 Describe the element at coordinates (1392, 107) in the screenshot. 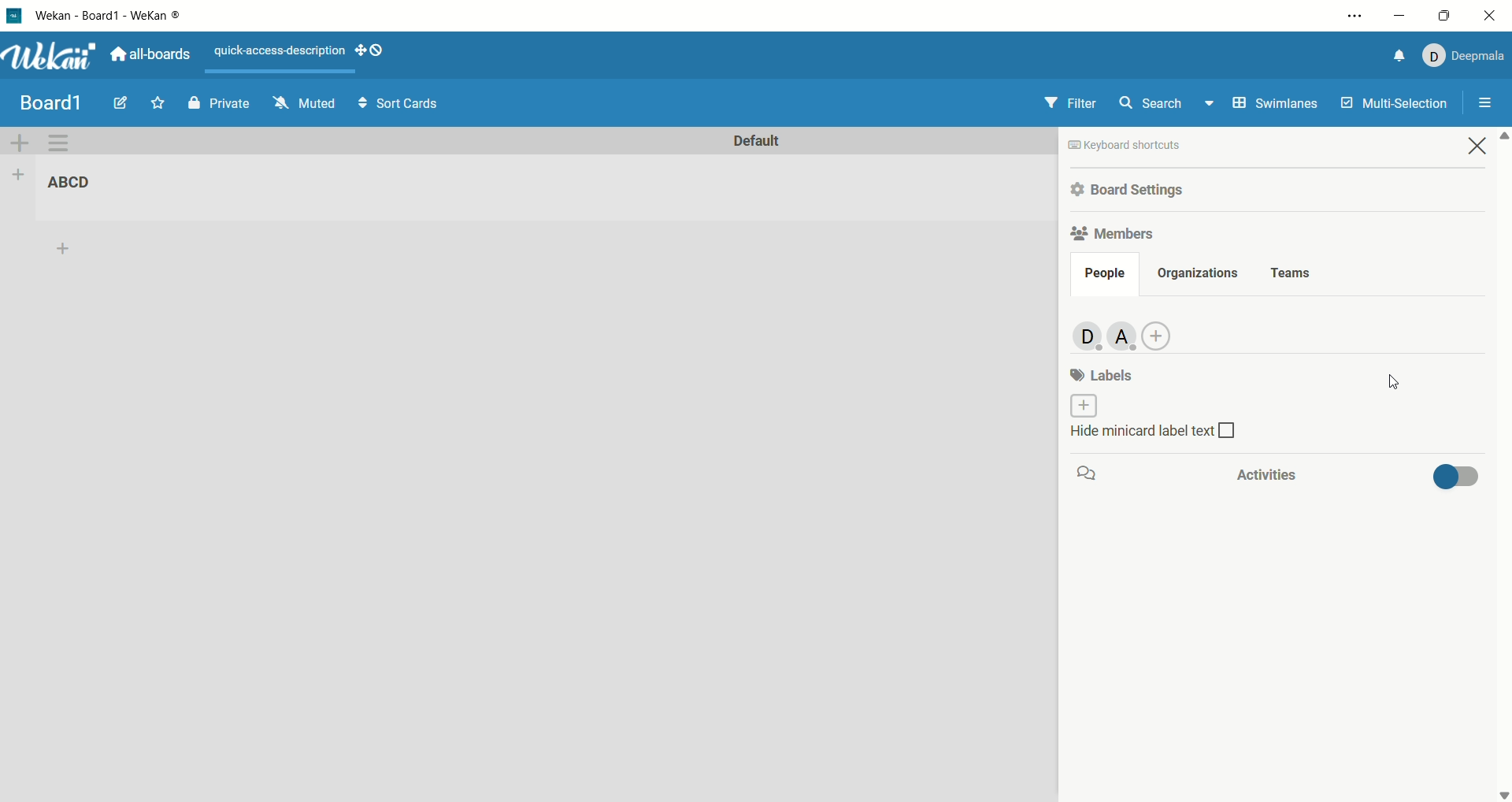

I see `multi-function` at that location.